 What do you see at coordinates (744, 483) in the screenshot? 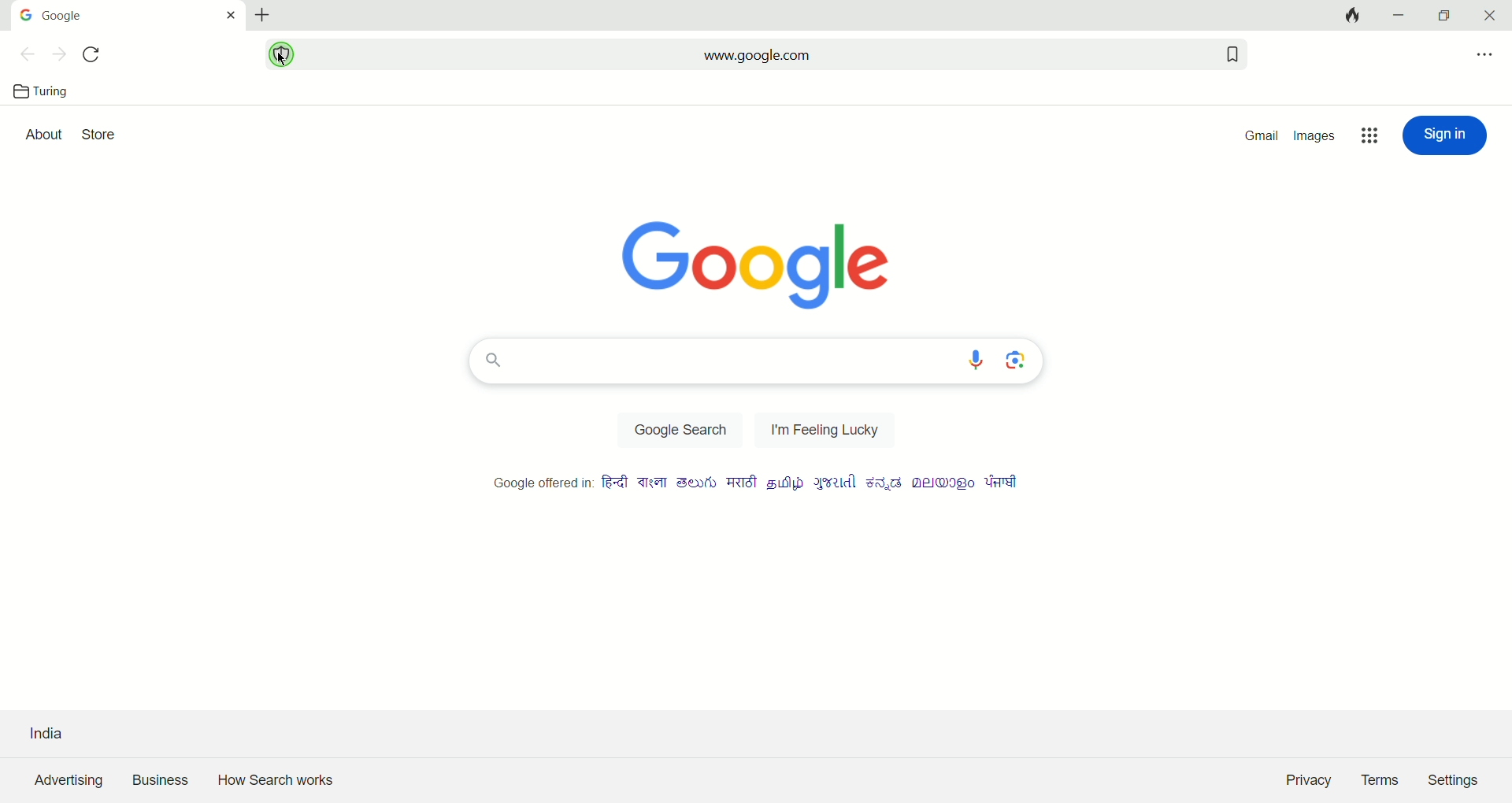
I see `language` at bounding box center [744, 483].